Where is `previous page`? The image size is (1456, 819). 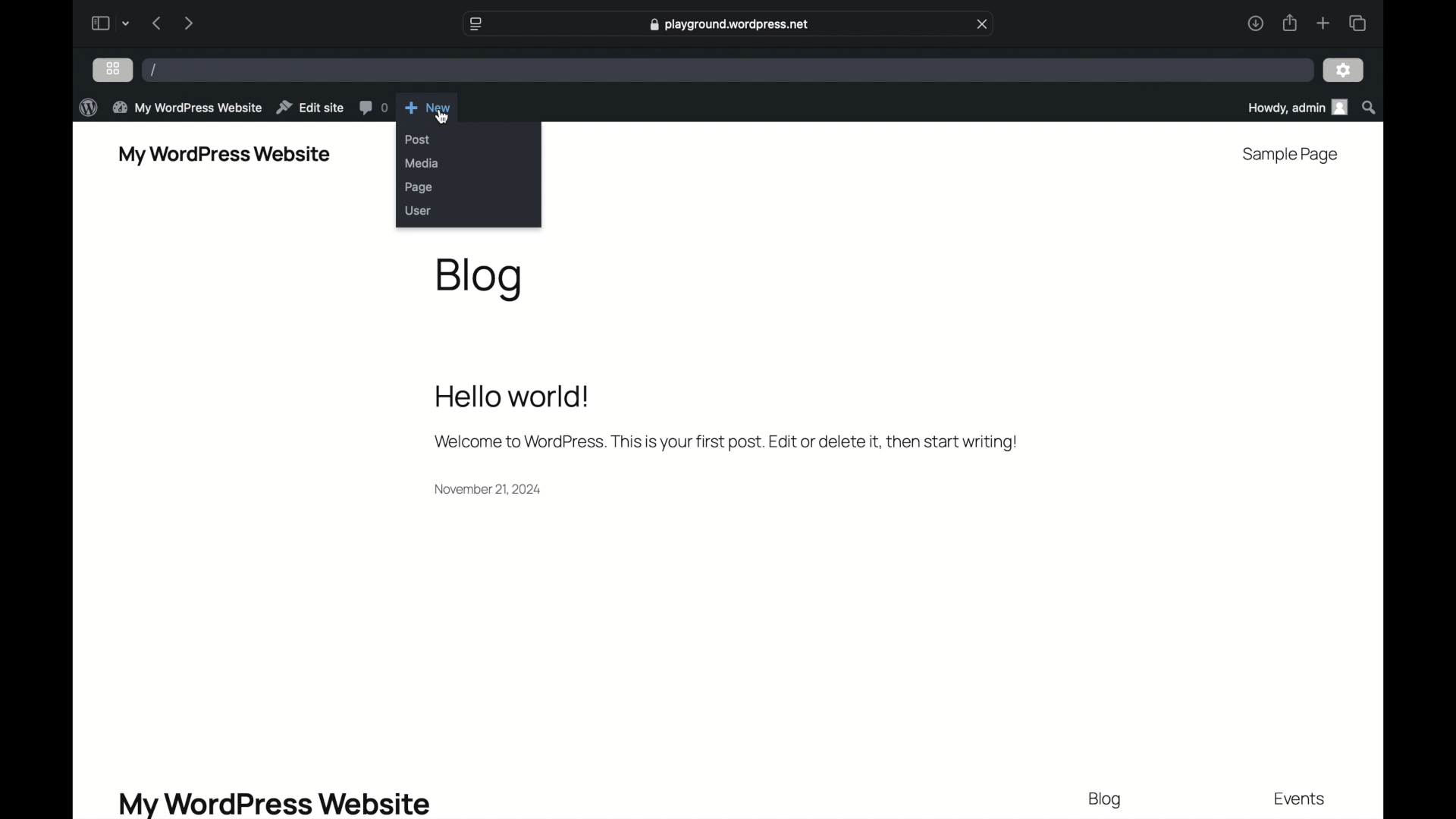 previous page is located at coordinates (158, 23).